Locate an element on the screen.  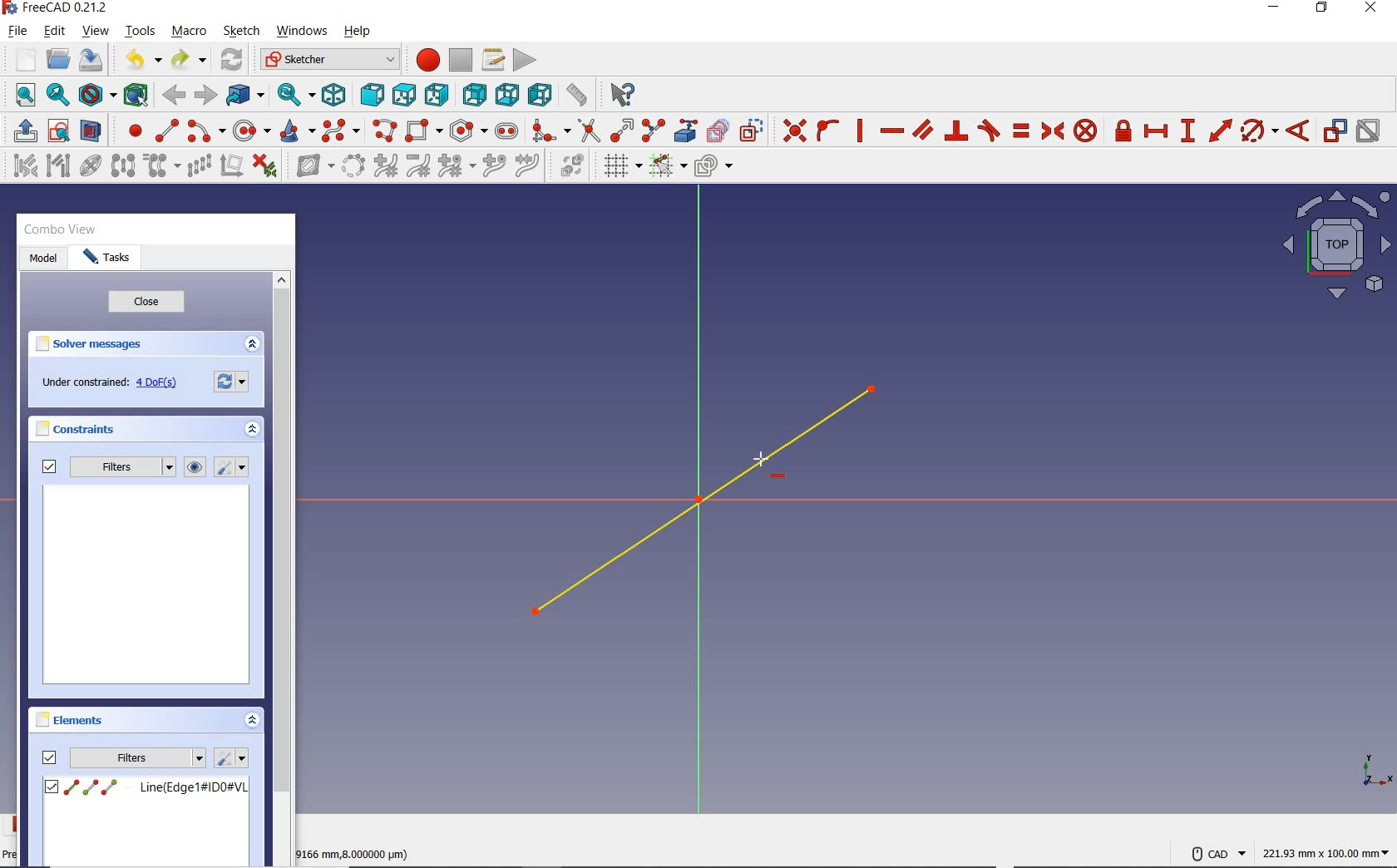
COLLAPSE is located at coordinates (252, 722).